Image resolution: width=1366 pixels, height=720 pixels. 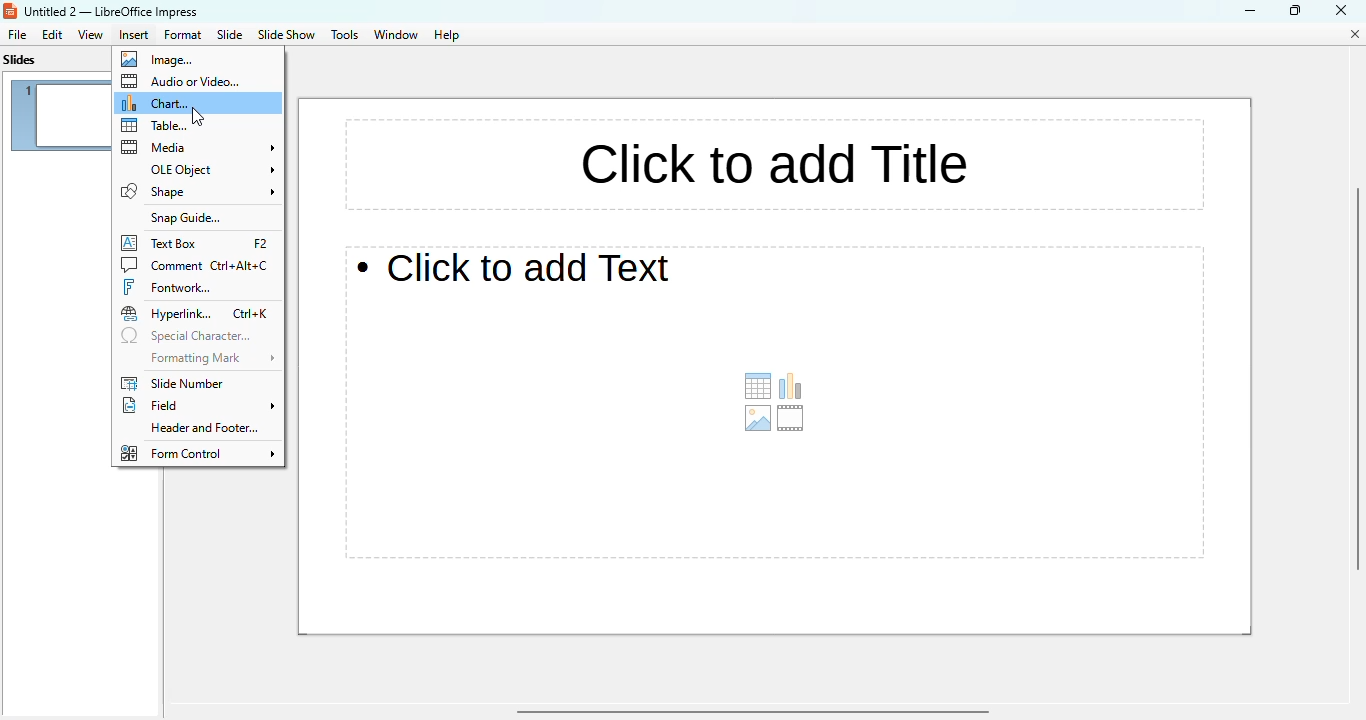 What do you see at coordinates (758, 418) in the screenshot?
I see `insert image` at bounding box center [758, 418].